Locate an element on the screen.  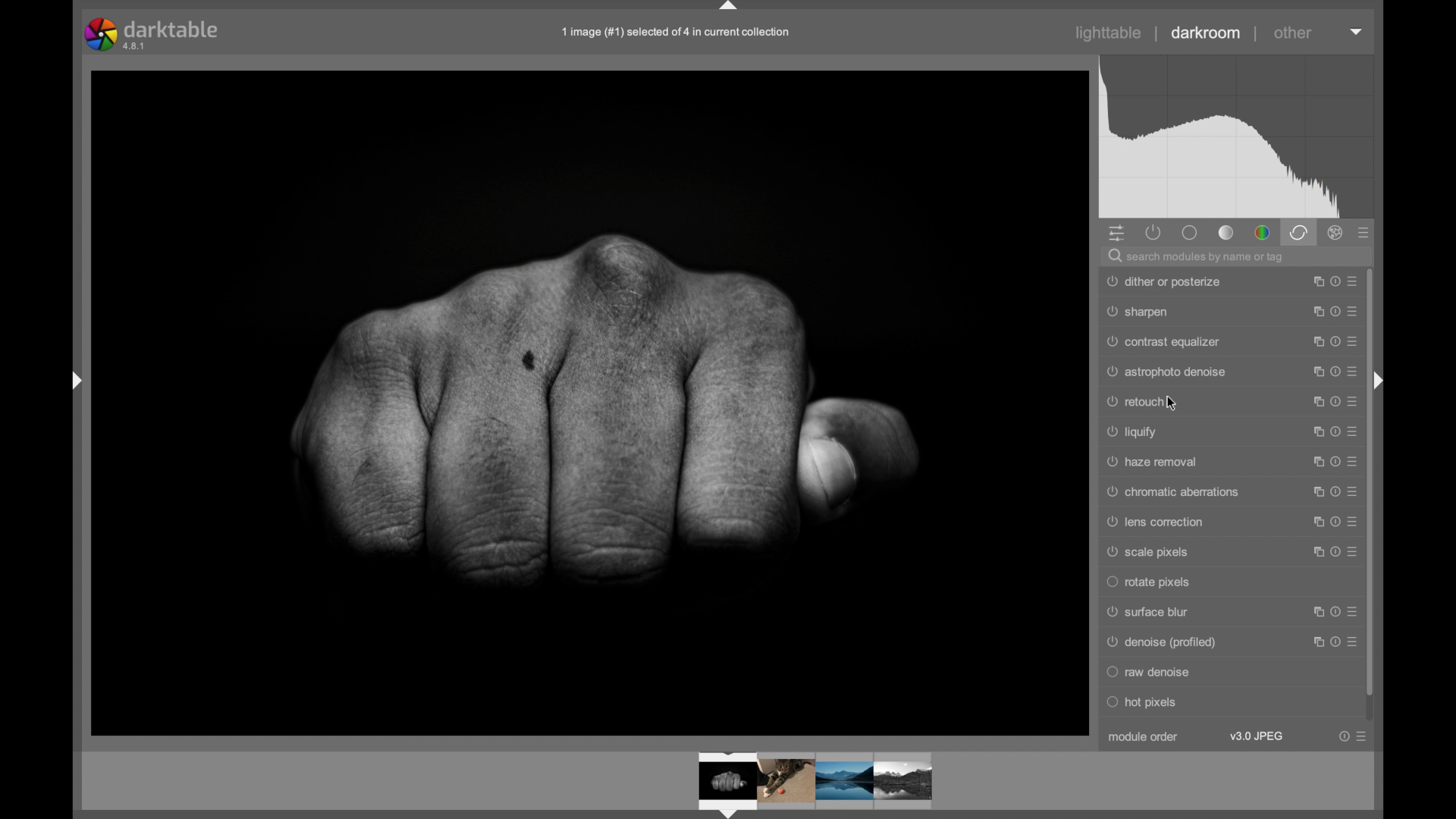
drag  handle is located at coordinates (1385, 379).